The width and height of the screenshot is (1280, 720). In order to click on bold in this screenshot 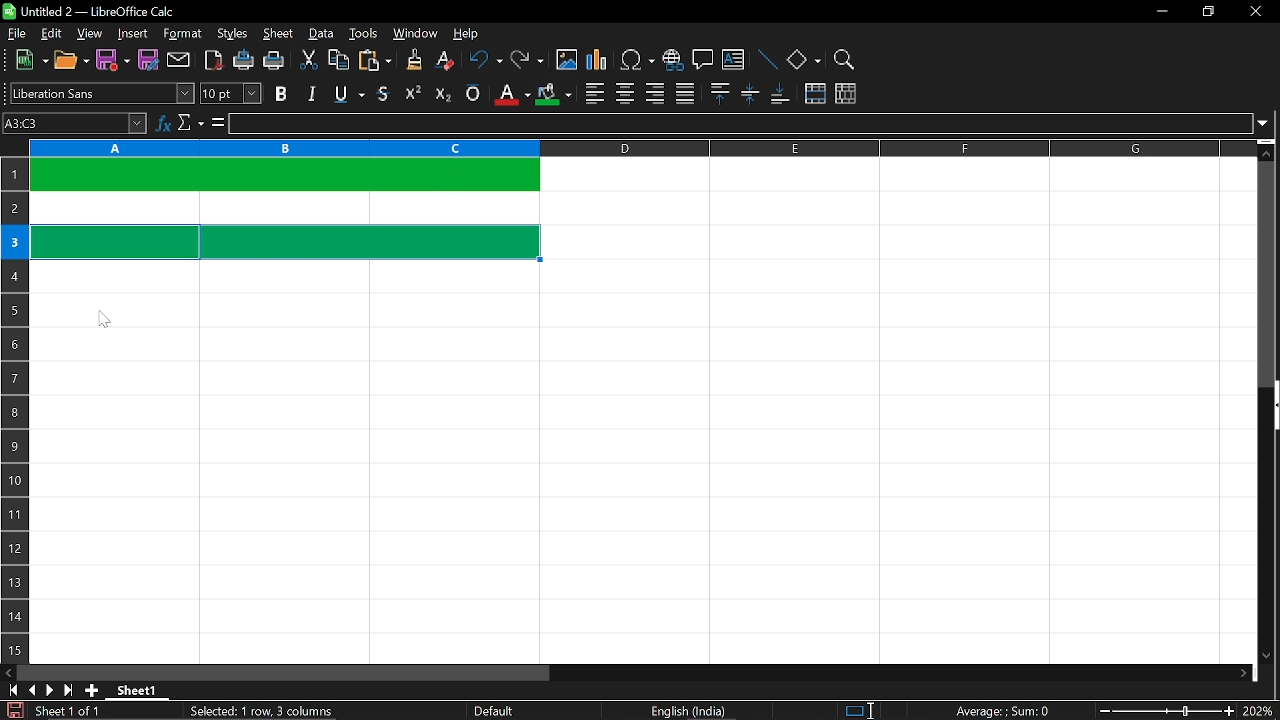, I will do `click(281, 94)`.